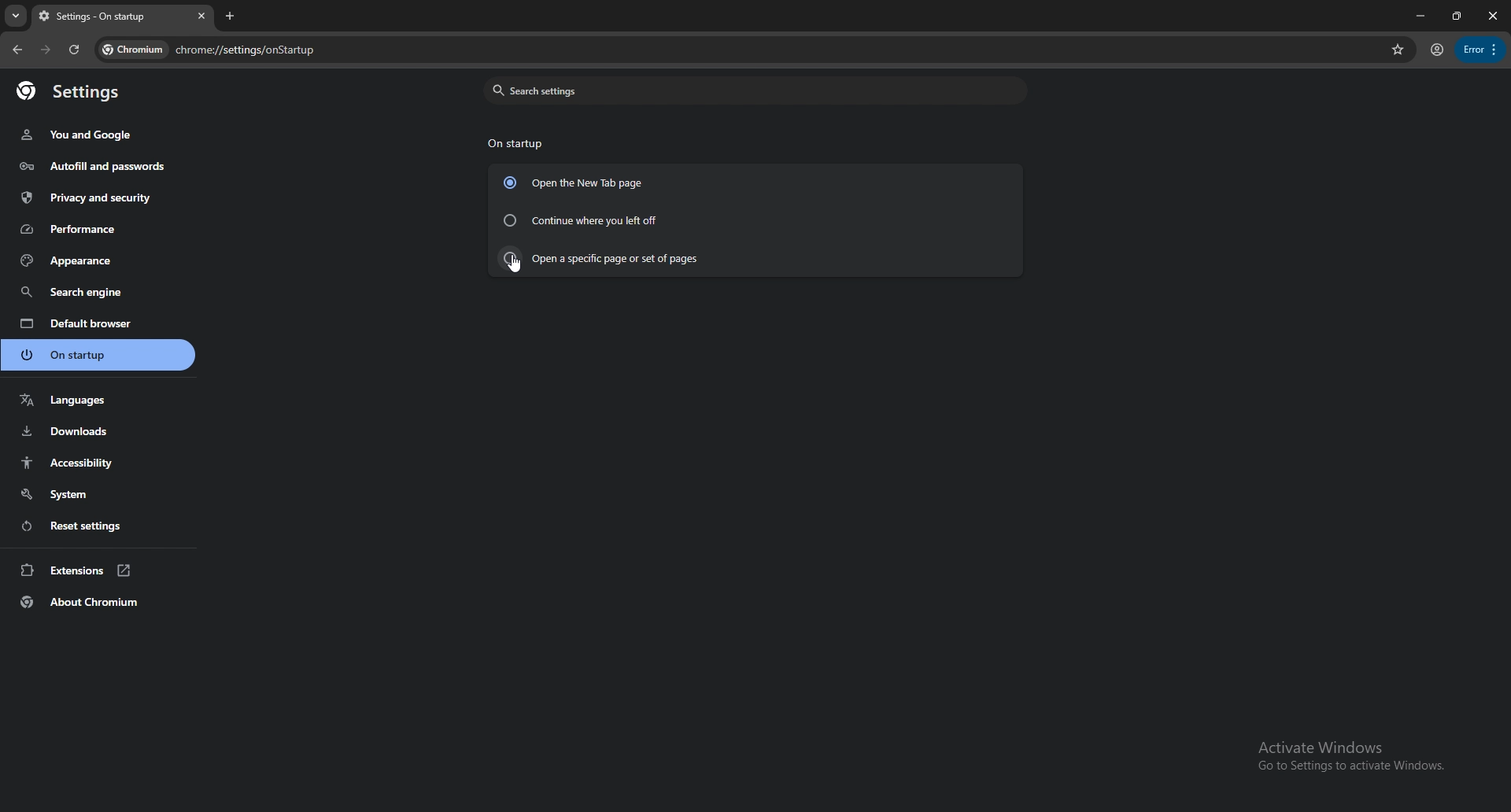  Describe the element at coordinates (753, 90) in the screenshot. I see `search settings` at that location.